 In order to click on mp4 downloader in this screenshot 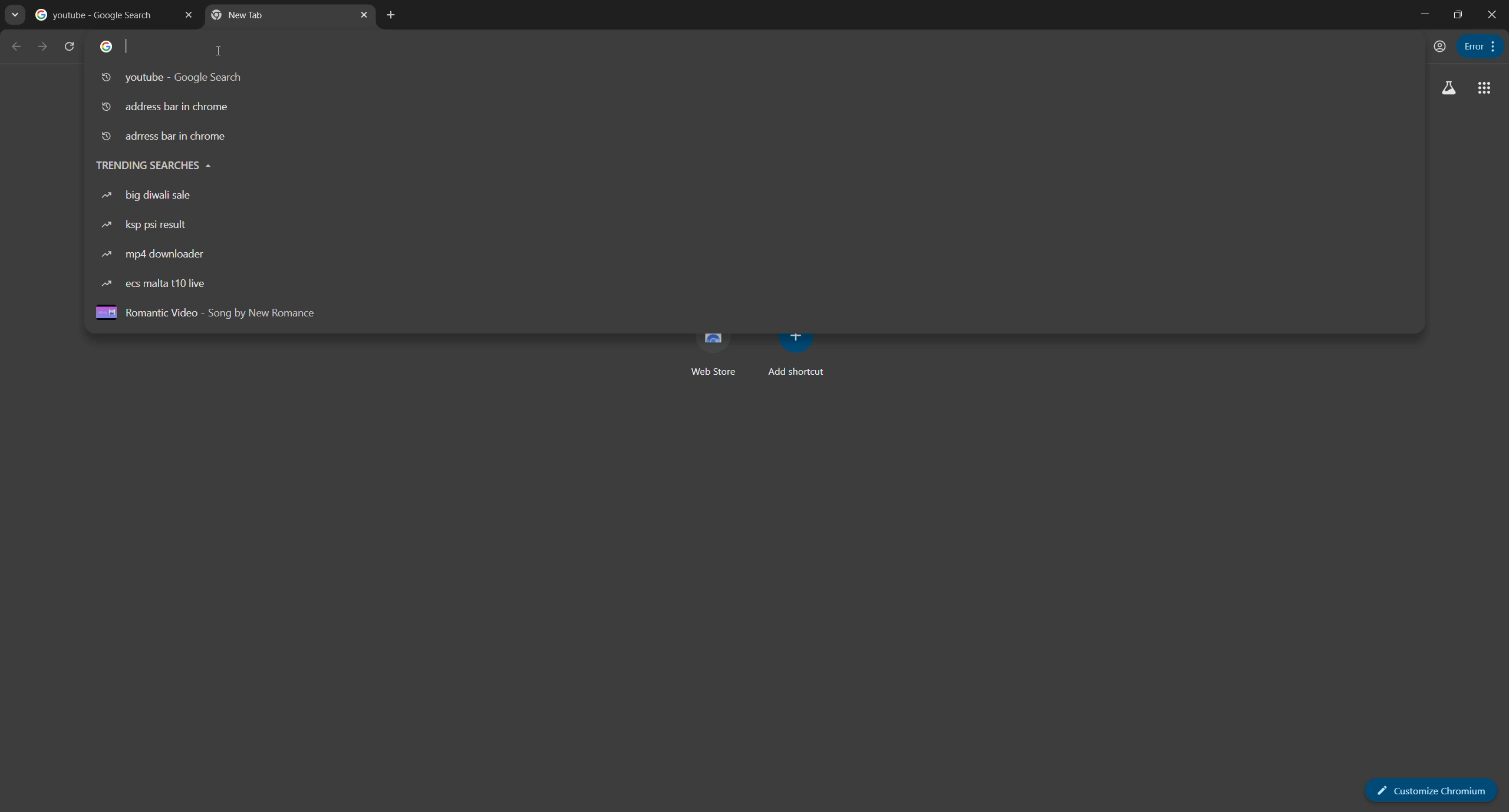, I will do `click(152, 253)`.